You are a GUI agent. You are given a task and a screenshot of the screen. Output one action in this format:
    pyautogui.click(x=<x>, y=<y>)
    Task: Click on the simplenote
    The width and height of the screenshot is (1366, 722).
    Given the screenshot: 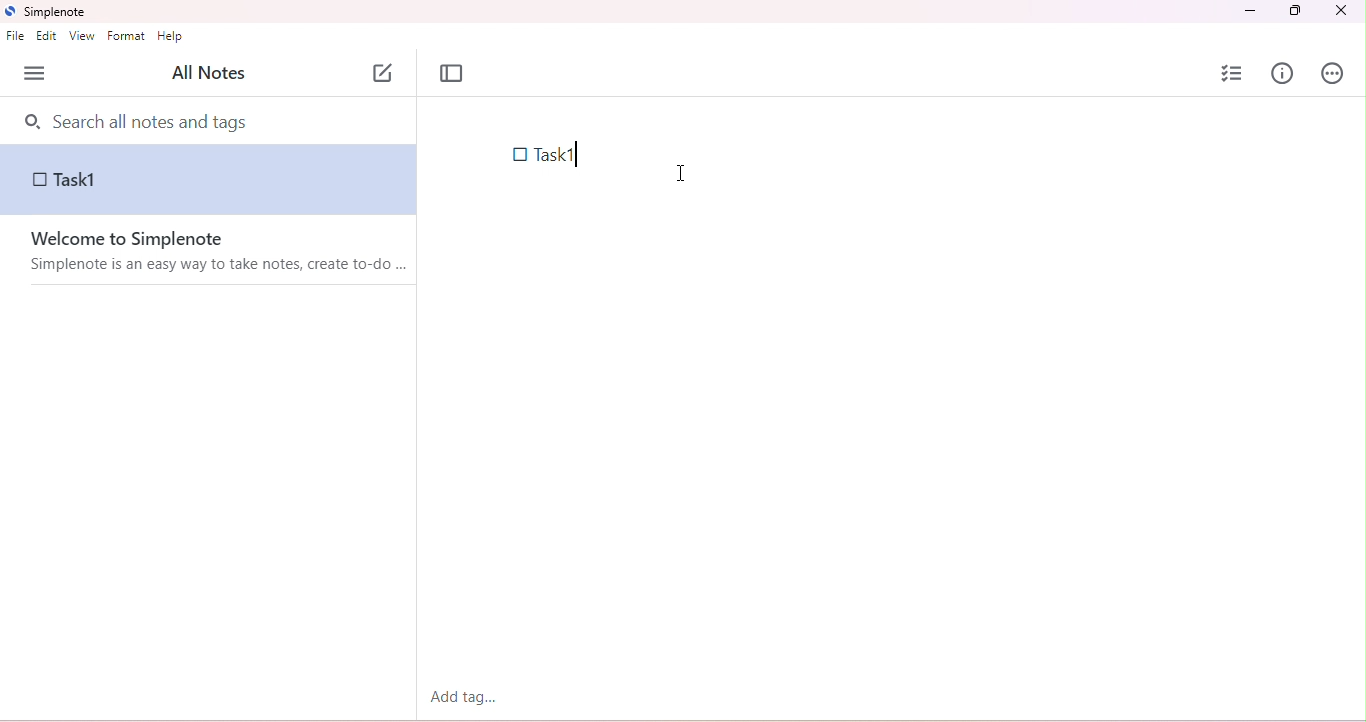 What is the action you would take?
    pyautogui.click(x=54, y=13)
    